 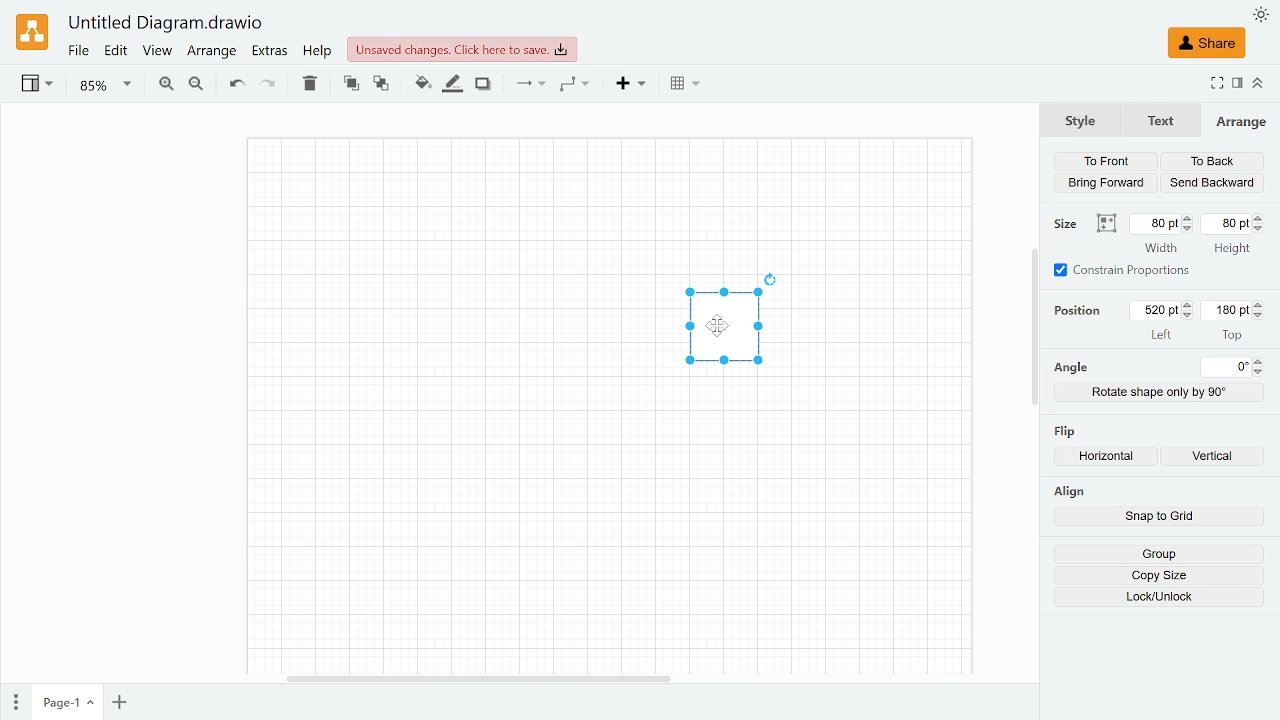 What do you see at coordinates (1260, 361) in the screenshot?
I see `Increase angle` at bounding box center [1260, 361].